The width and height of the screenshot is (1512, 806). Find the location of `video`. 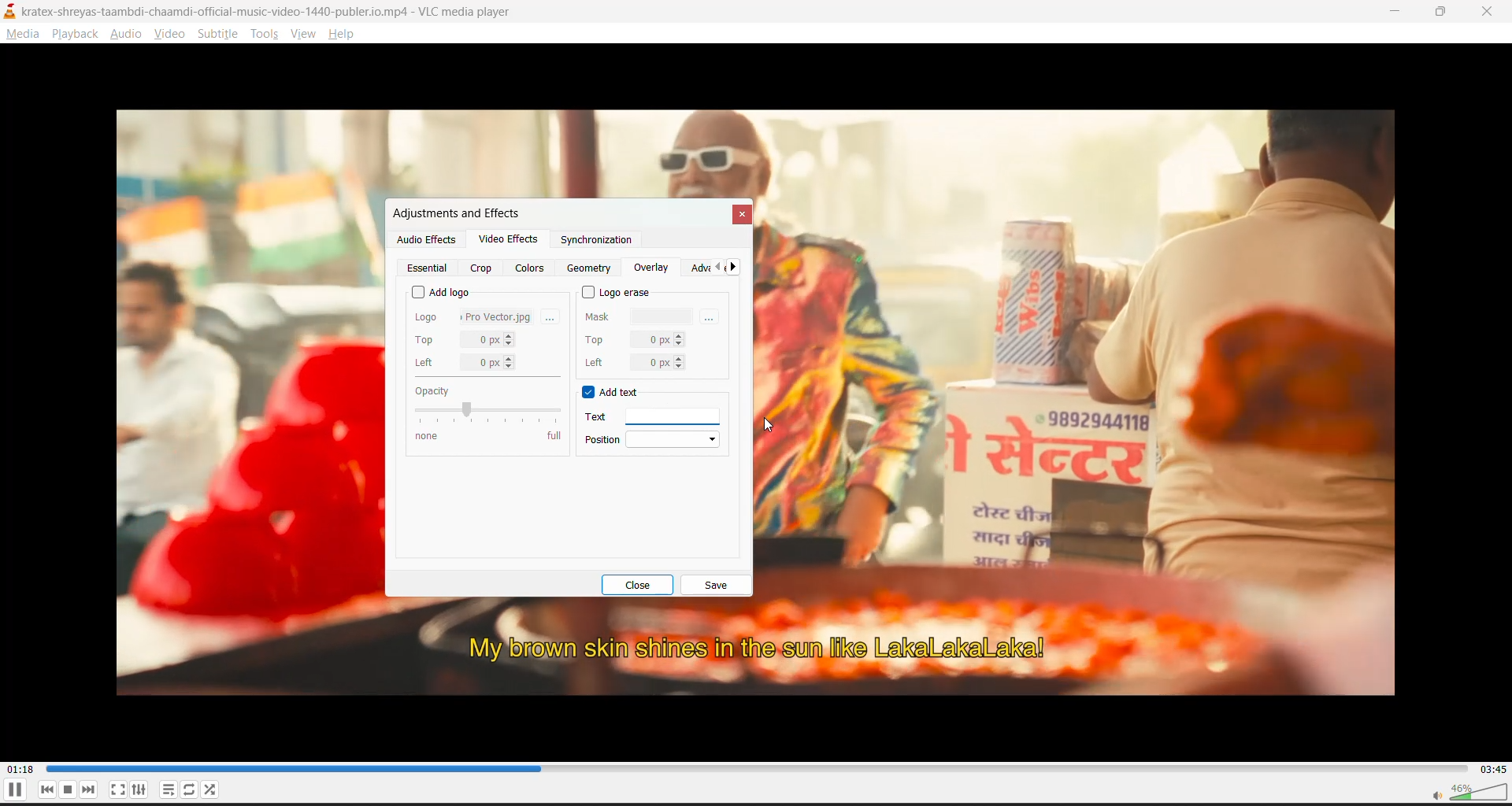

video is located at coordinates (171, 33).